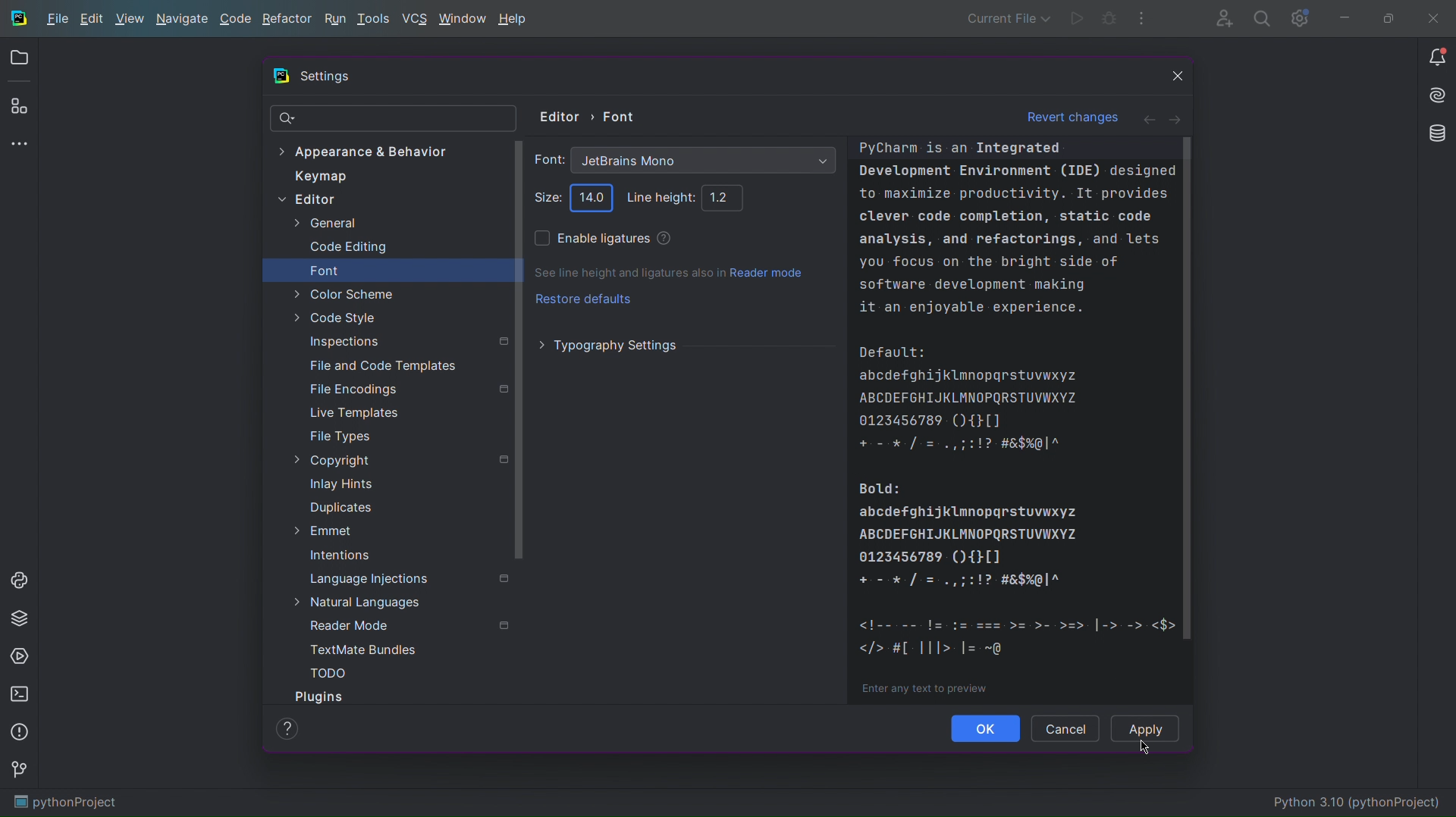 The height and width of the screenshot is (817, 1456). What do you see at coordinates (287, 728) in the screenshot?
I see `Help` at bounding box center [287, 728].